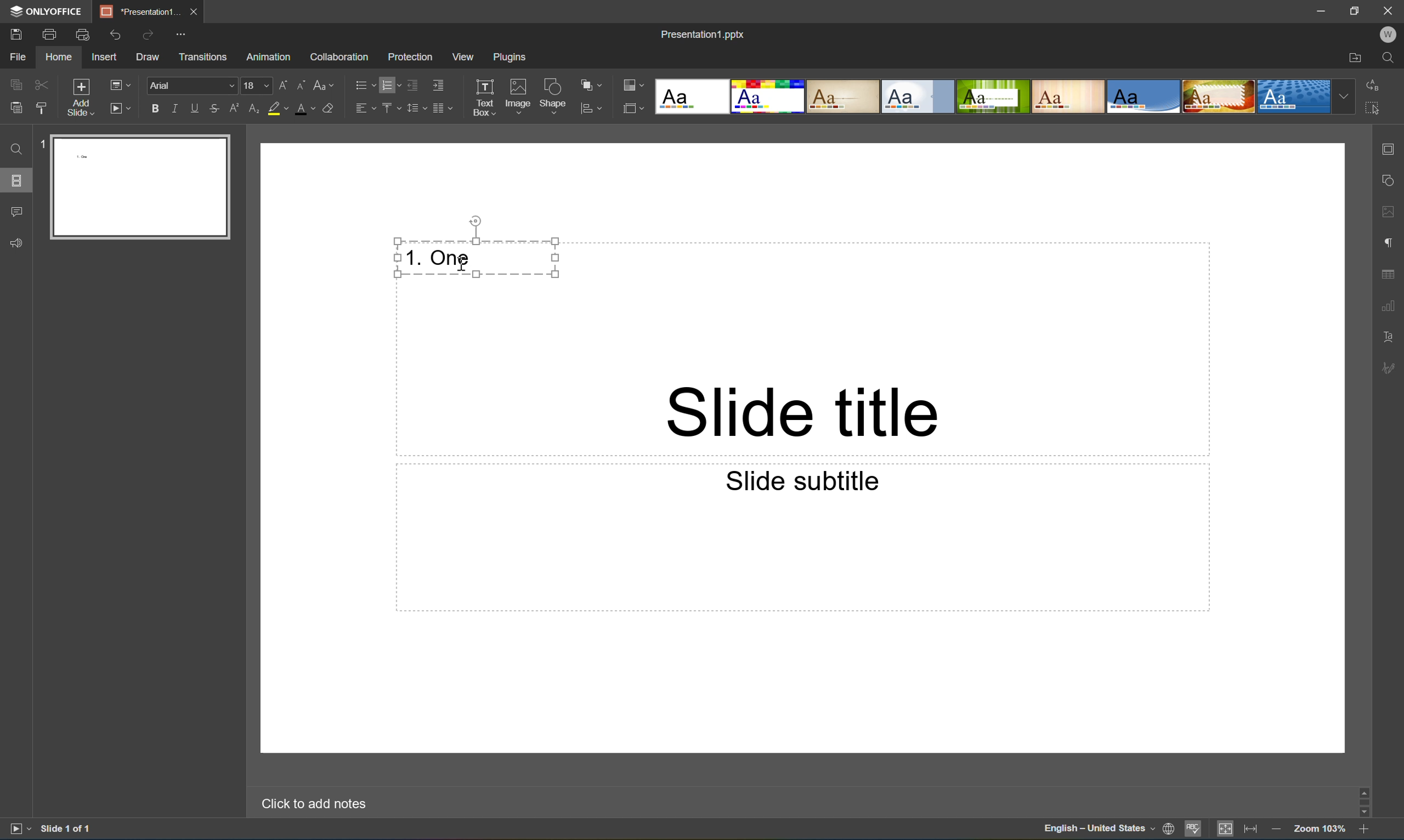  Describe the element at coordinates (1390, 213) in the screenshot. I see `Image settings` at that location.